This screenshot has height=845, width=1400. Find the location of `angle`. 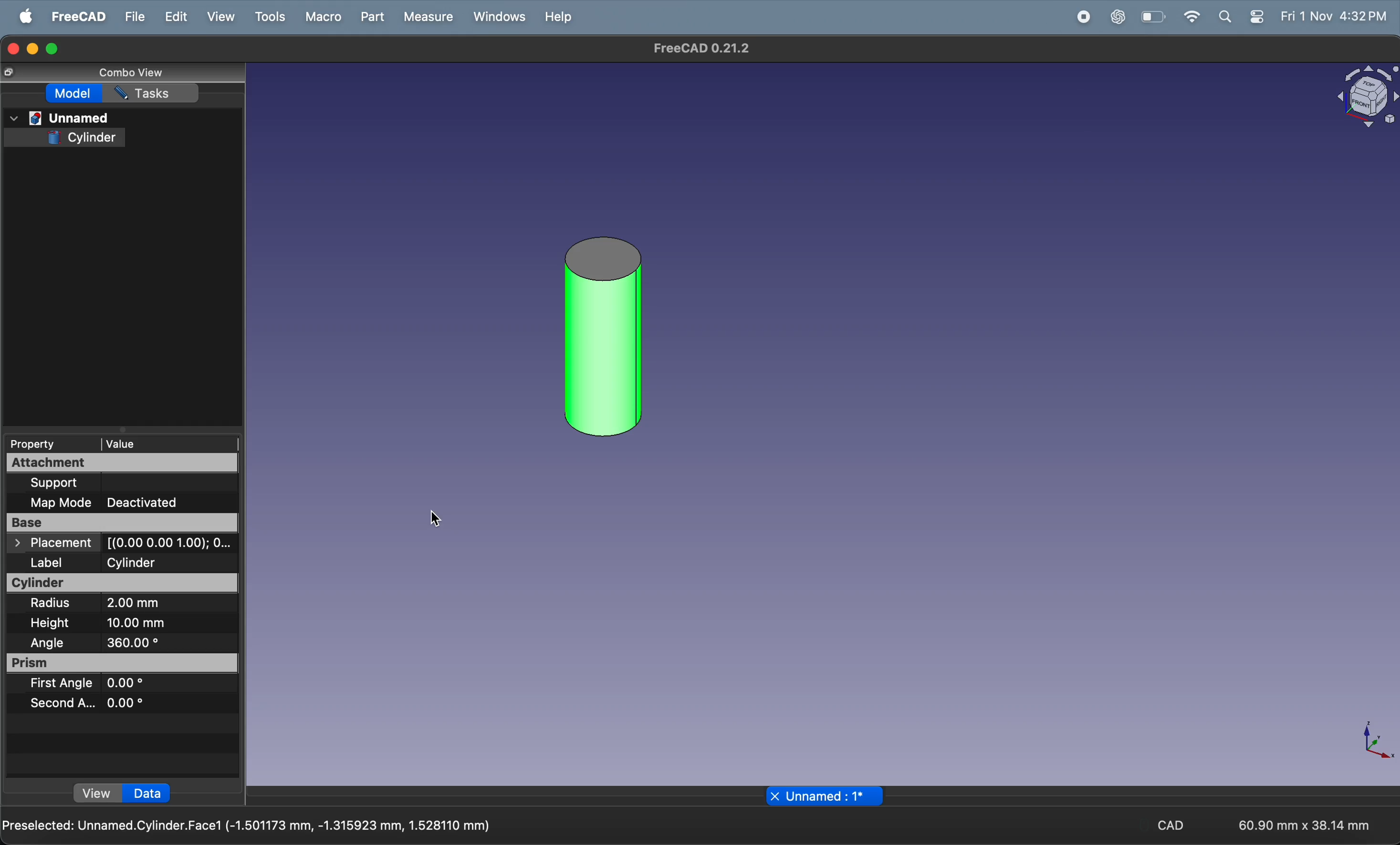

angle is located at coordinates (47, 643).